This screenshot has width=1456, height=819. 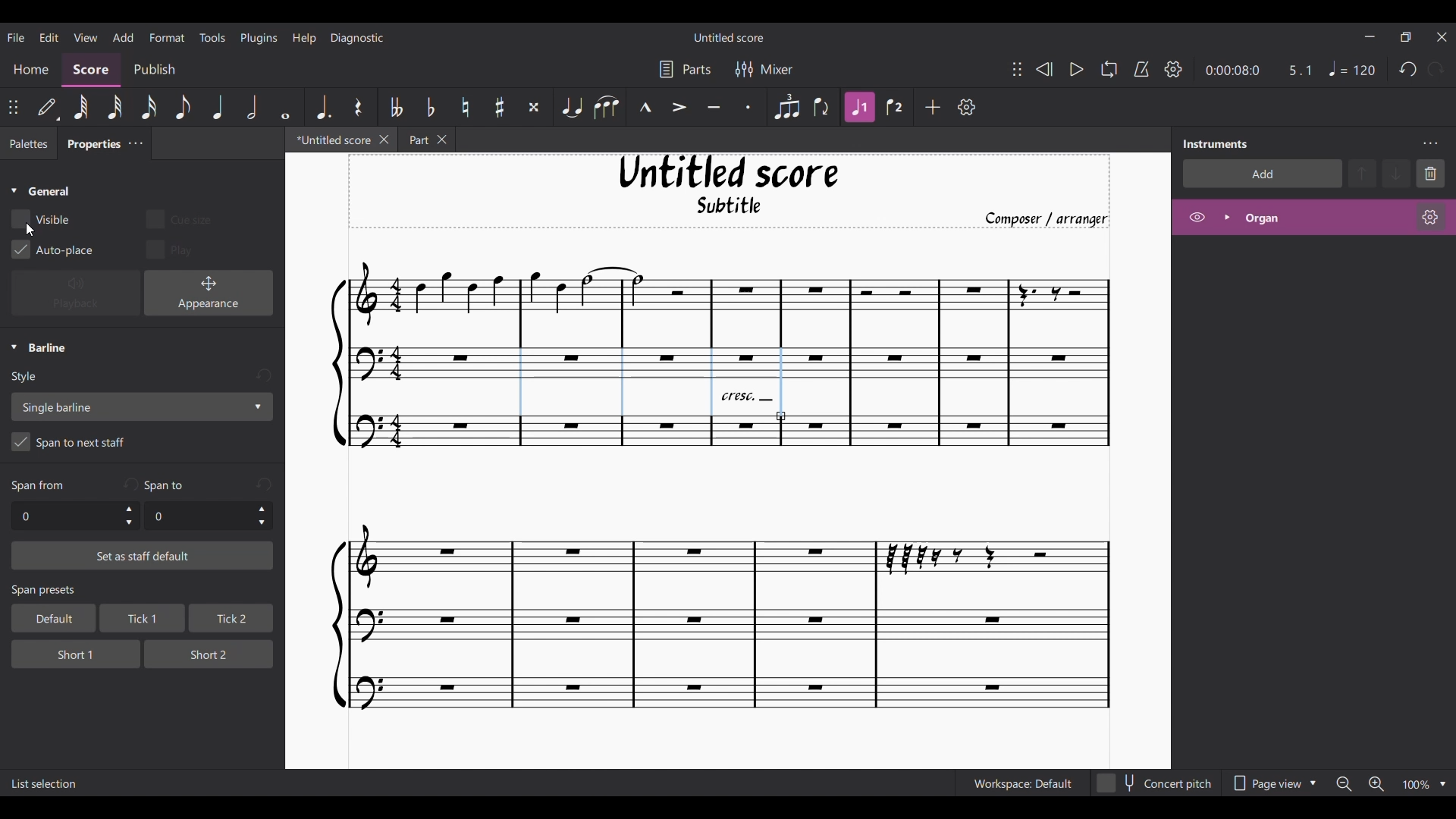 What do you see at coordinates (85, 36) in the screenshot?
I see `View menu` at bounding box center [85, 36].